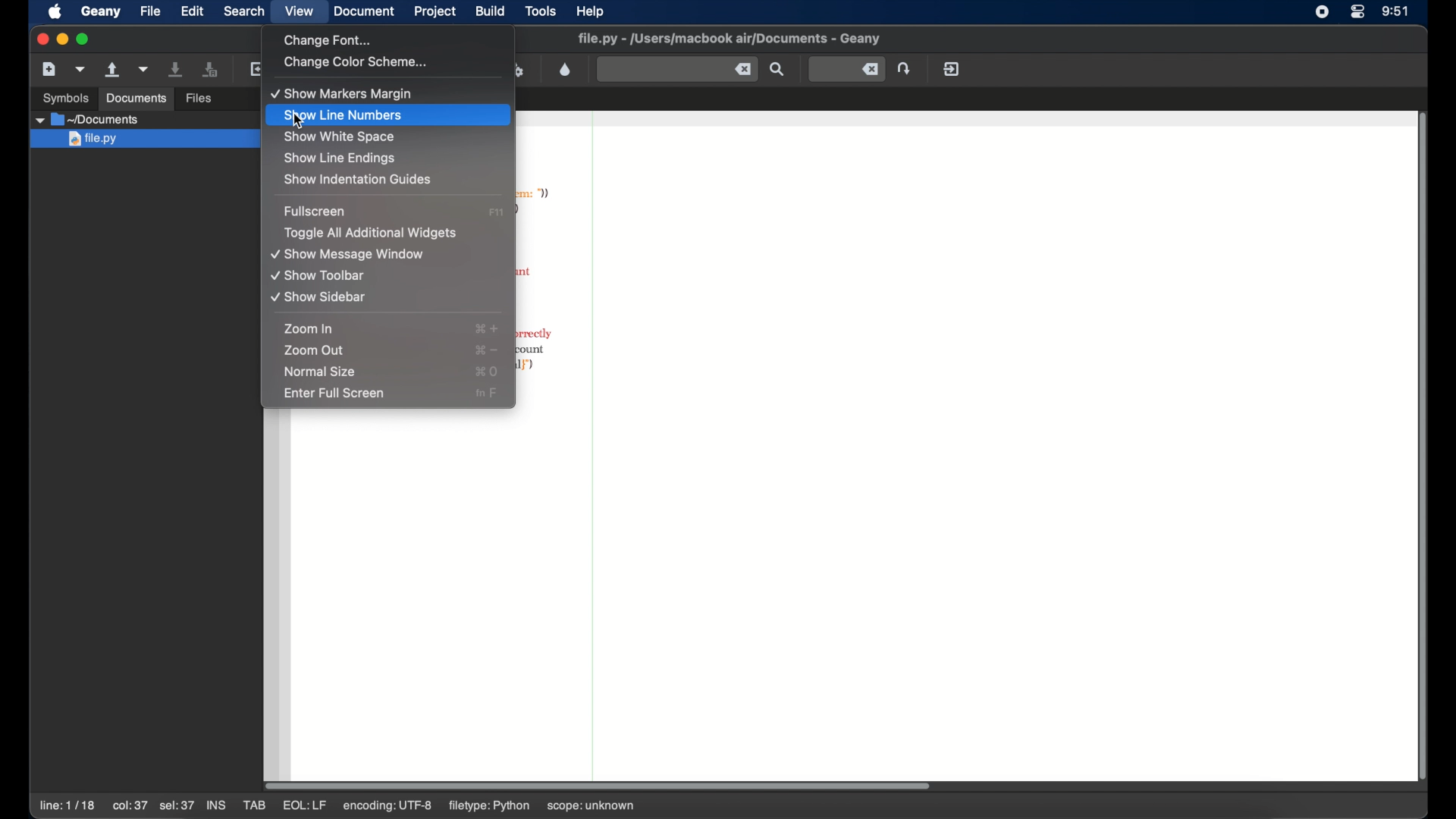 The width and height of the screenshot is (1456, 819). I want to click on encoding utf-8, so click(388, 807).